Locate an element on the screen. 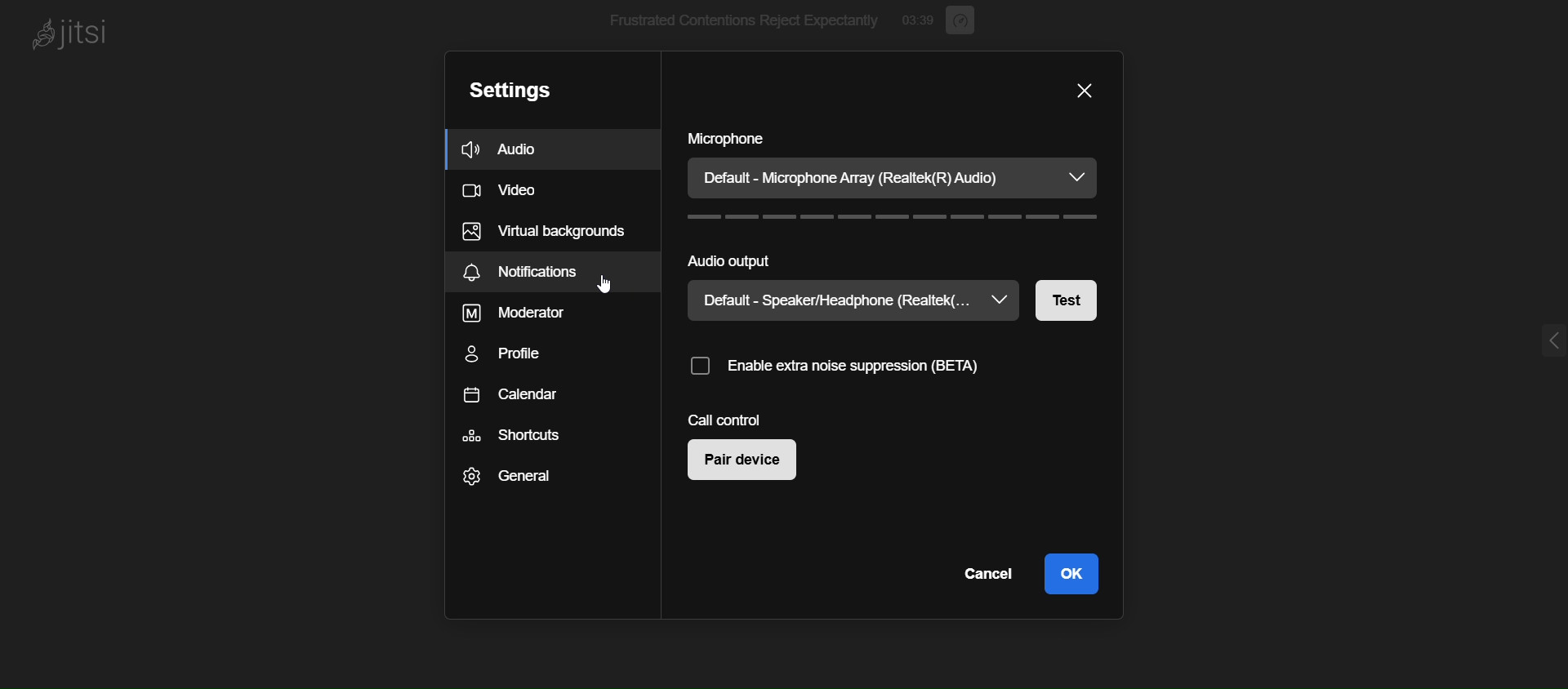 The width and height of the screenshot is (1568, 689). volume level is located at coordinates (892, 220).